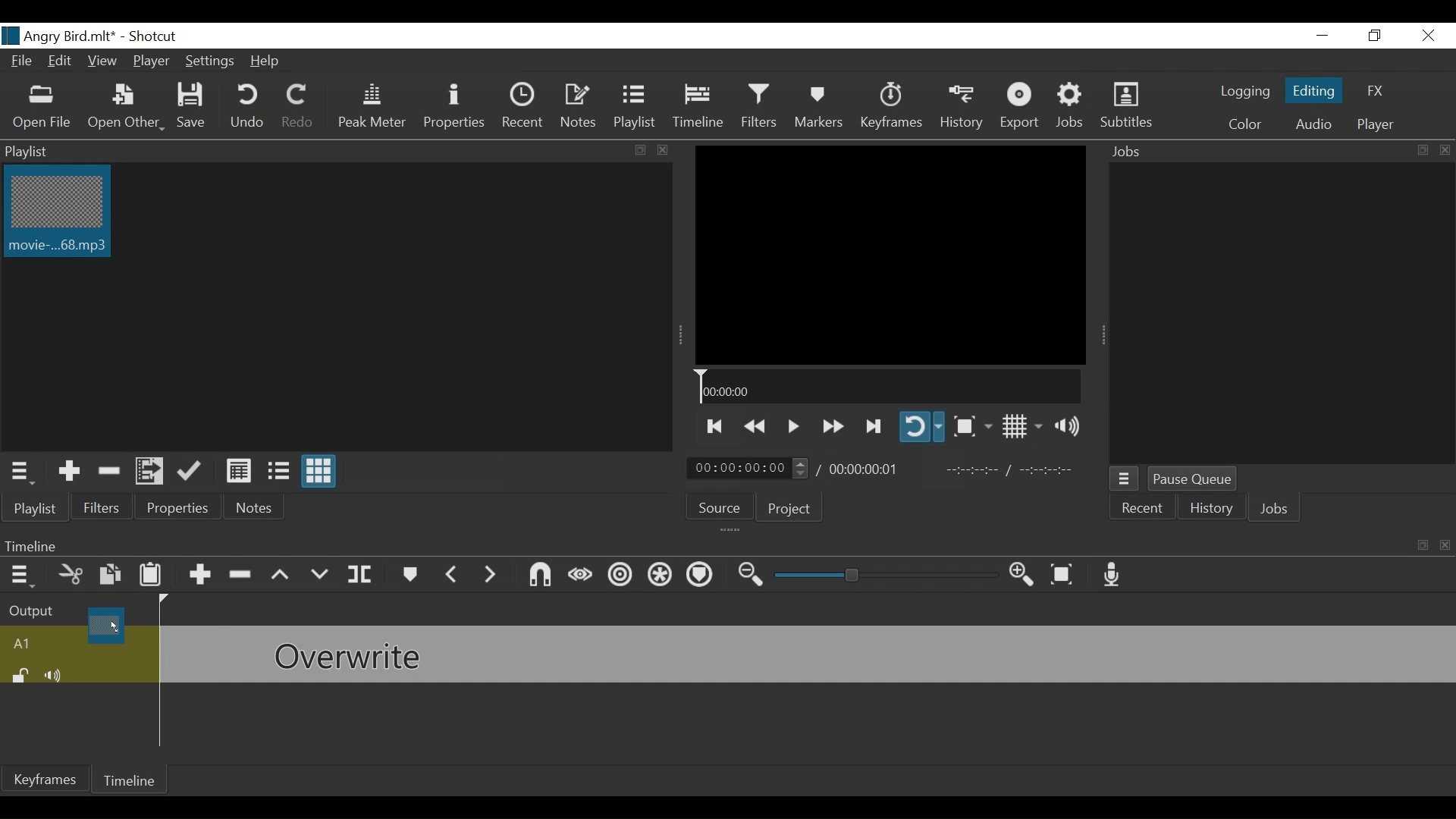 This screenshot has height=819, width=1456. Describe the element at coordinates (1071, 428) in the screenshot. I see `Show volume control` at that location.